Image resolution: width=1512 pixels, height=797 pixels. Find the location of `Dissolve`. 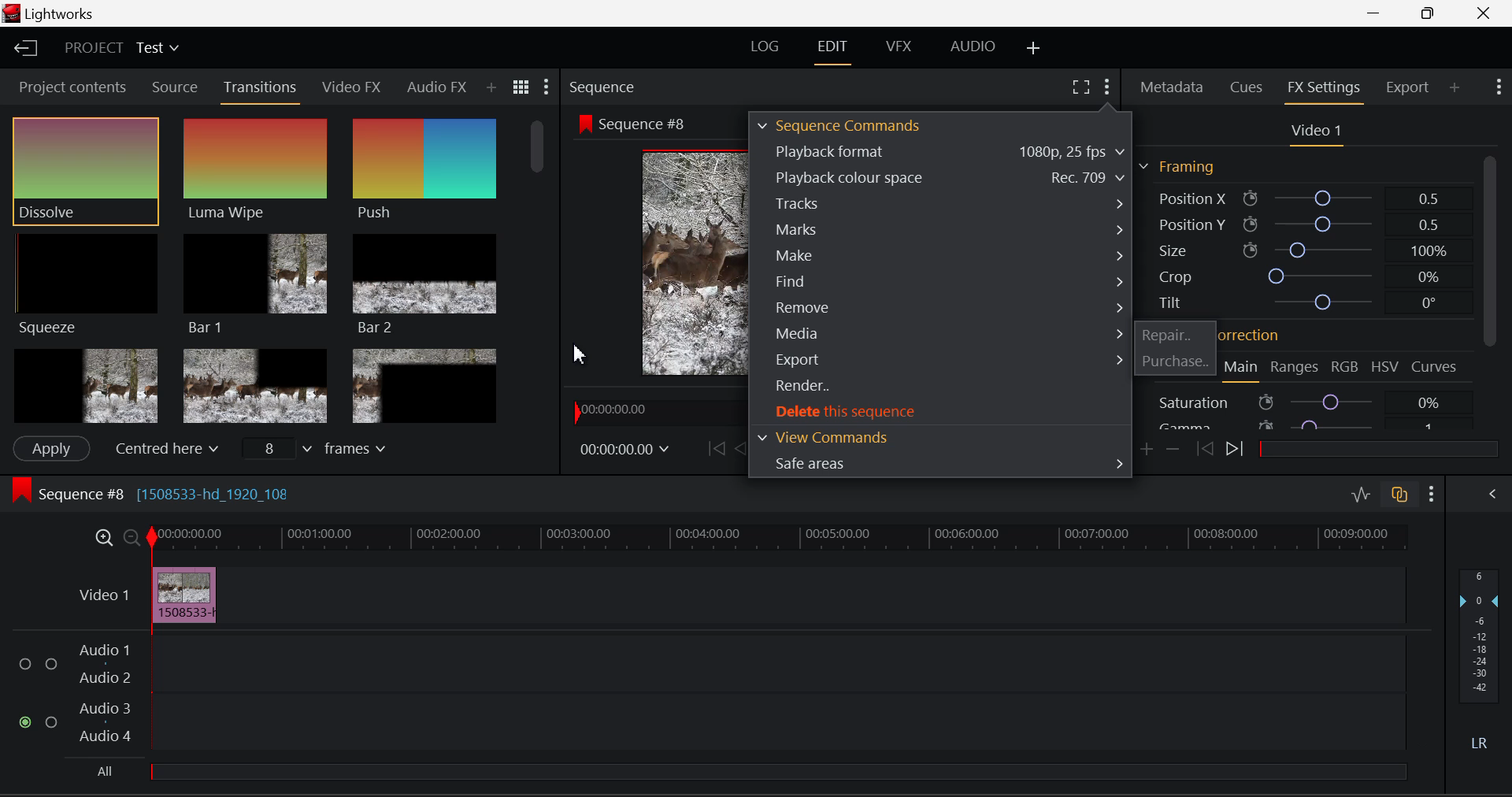

Dissolve is located at coordinates (85, 170).